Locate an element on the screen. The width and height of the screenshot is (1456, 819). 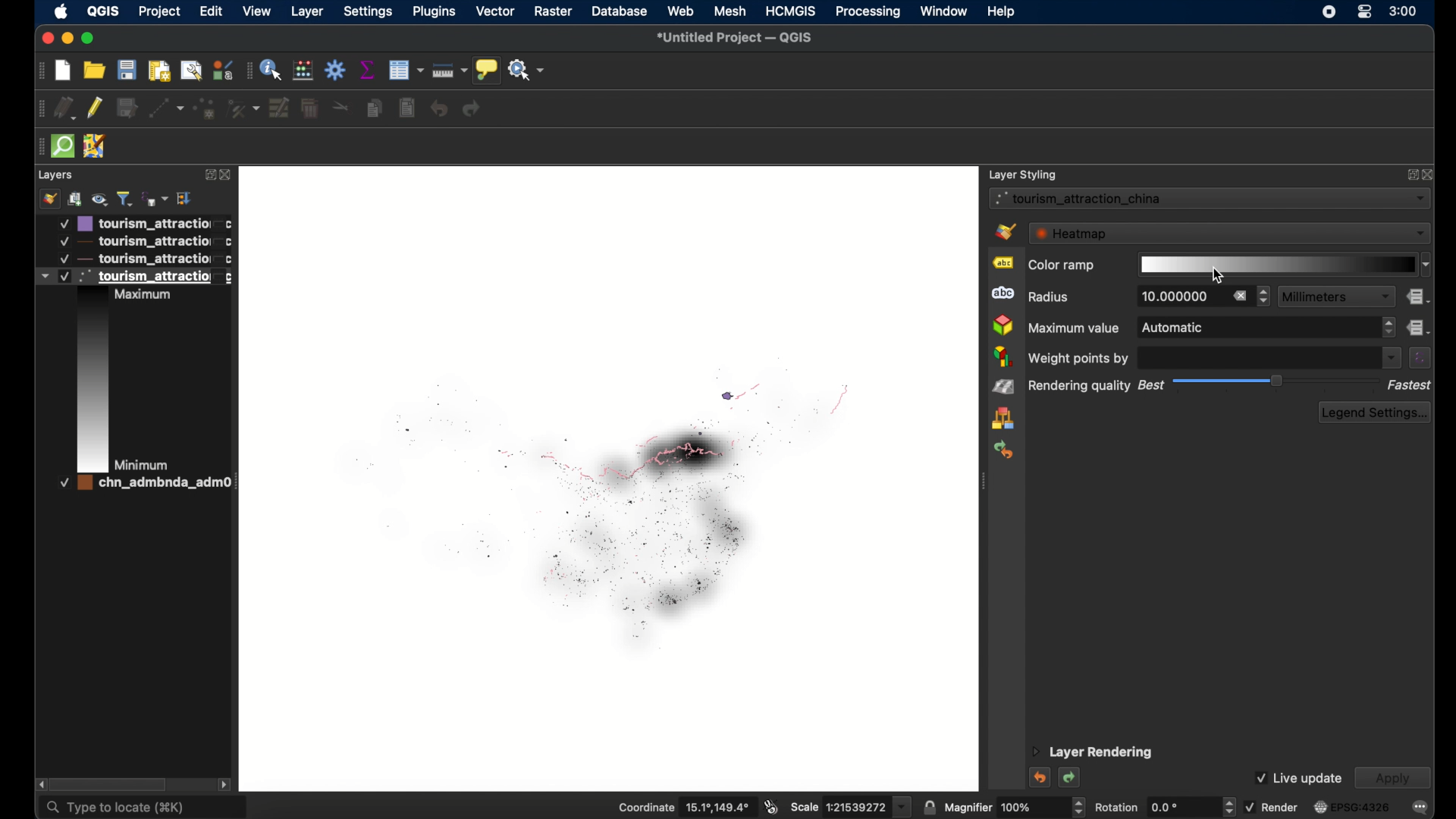
milimeters is located at coordinates (1335, 296).